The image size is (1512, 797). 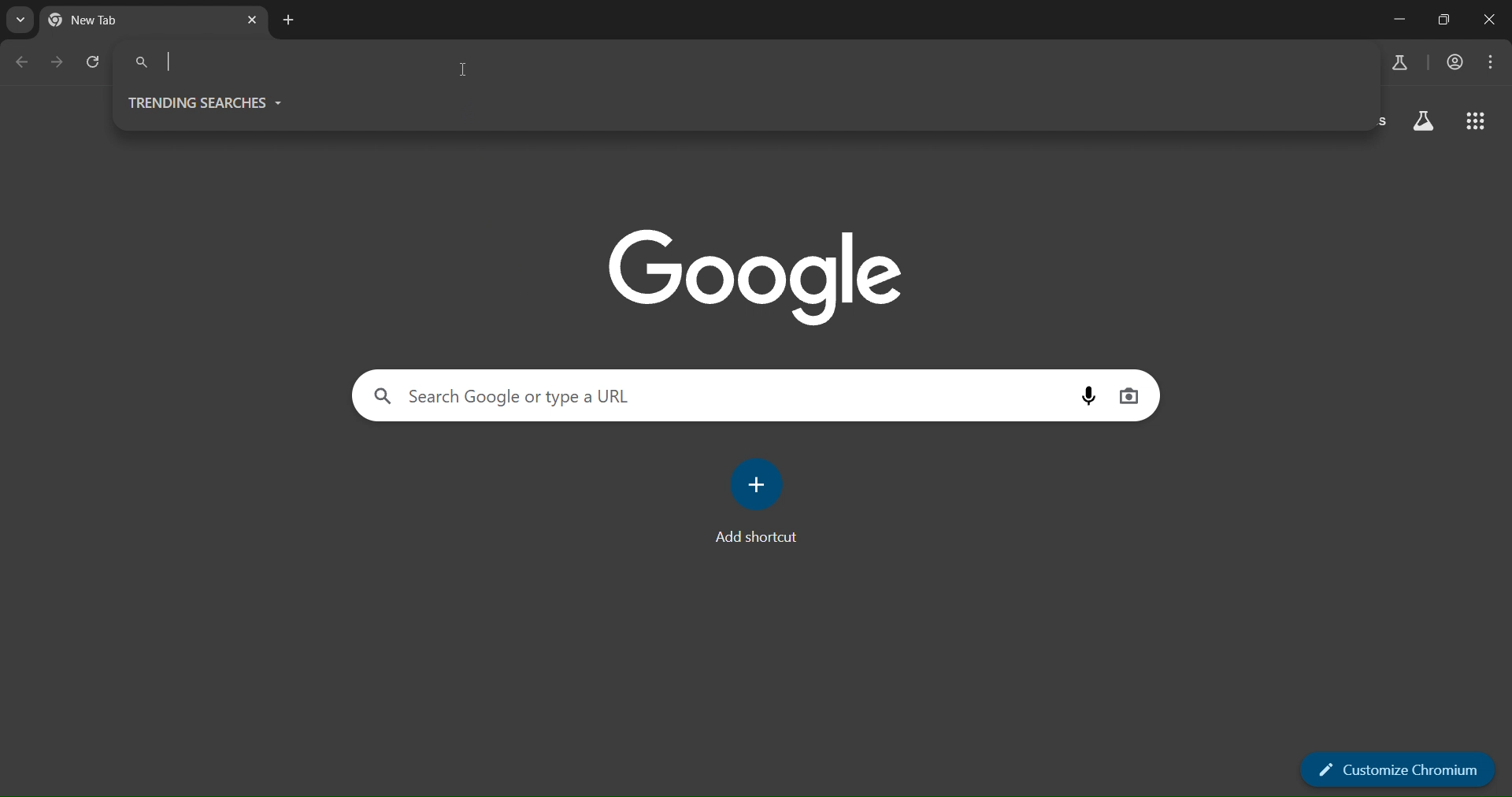 What do you see at coordinates (1442, 20) in the screenshot?
I see `restore down` at bounding box center [1442, 20].